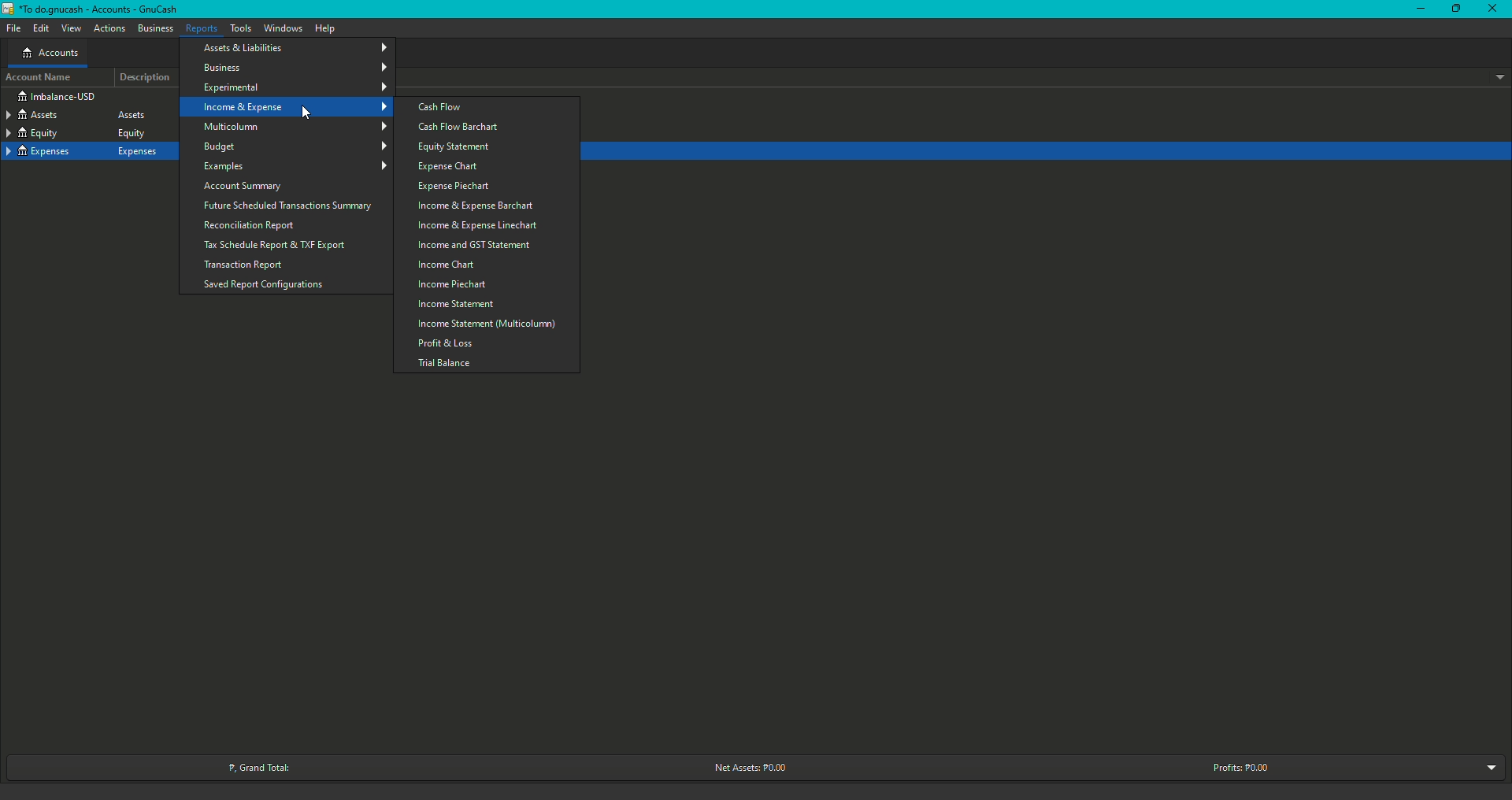  Describe the element at coordinates (89, 150) in the screenshot. I see `Expenses` at that location.